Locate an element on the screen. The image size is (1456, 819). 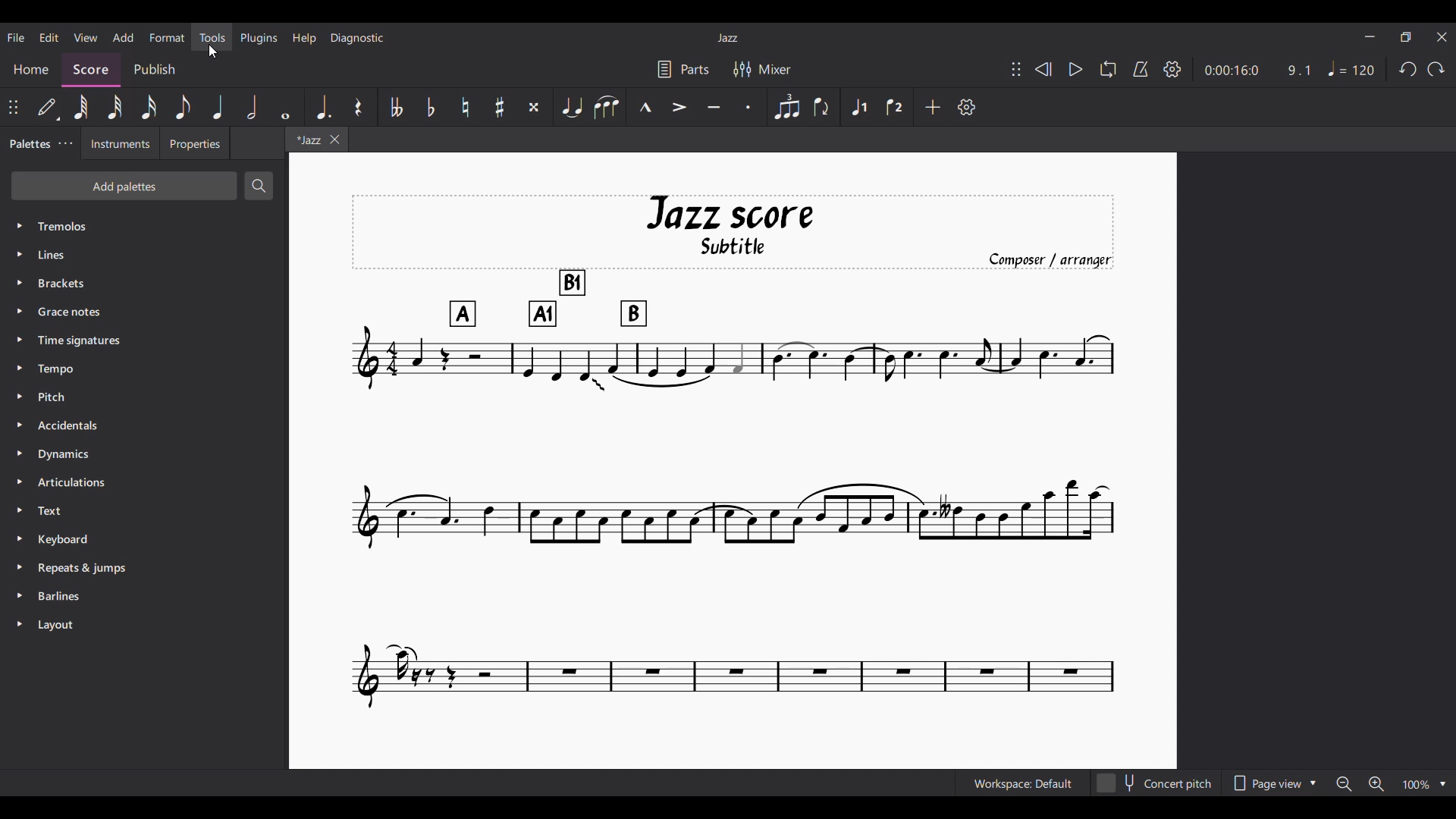
Minimize is located at coordinates (1370, 36).